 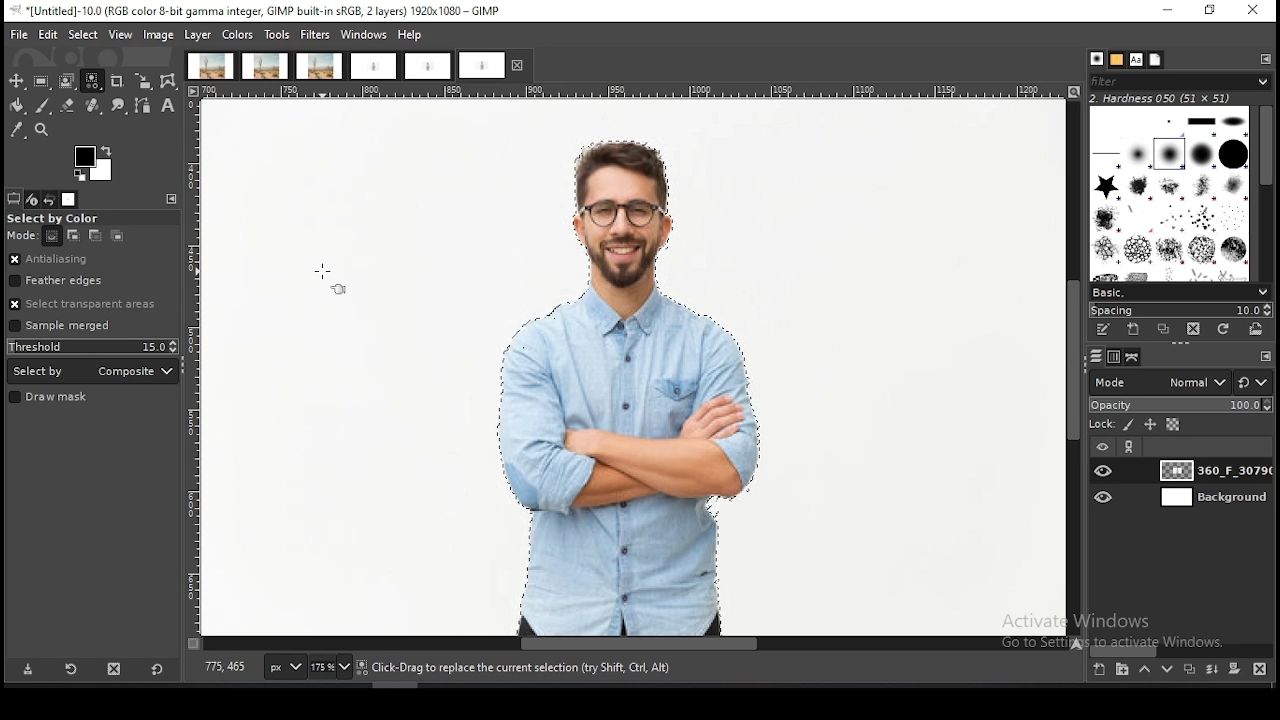 I want to click on mouse pointer, so click(x=332, y=277).